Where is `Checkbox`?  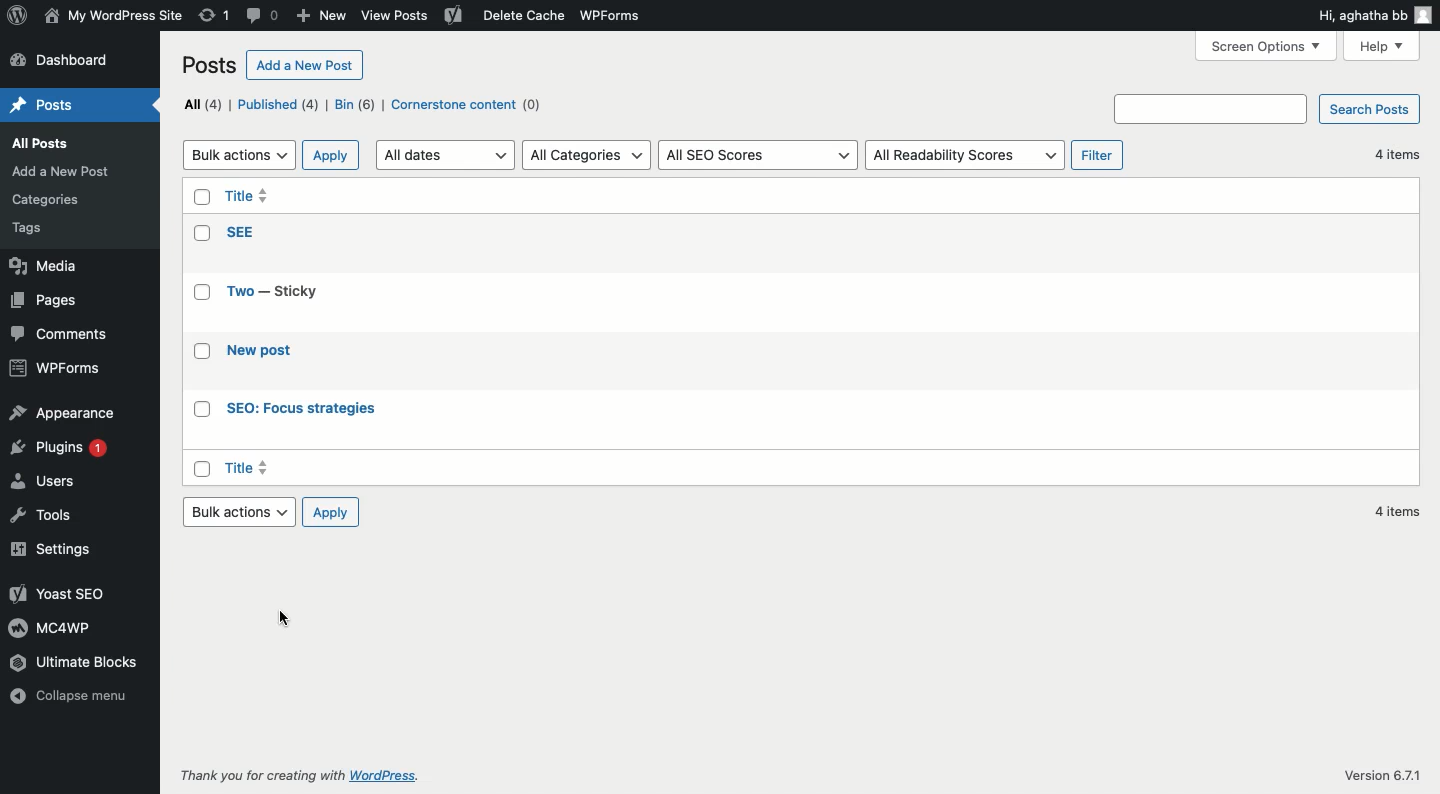 Checkbox is located at coordinates (199, 198).